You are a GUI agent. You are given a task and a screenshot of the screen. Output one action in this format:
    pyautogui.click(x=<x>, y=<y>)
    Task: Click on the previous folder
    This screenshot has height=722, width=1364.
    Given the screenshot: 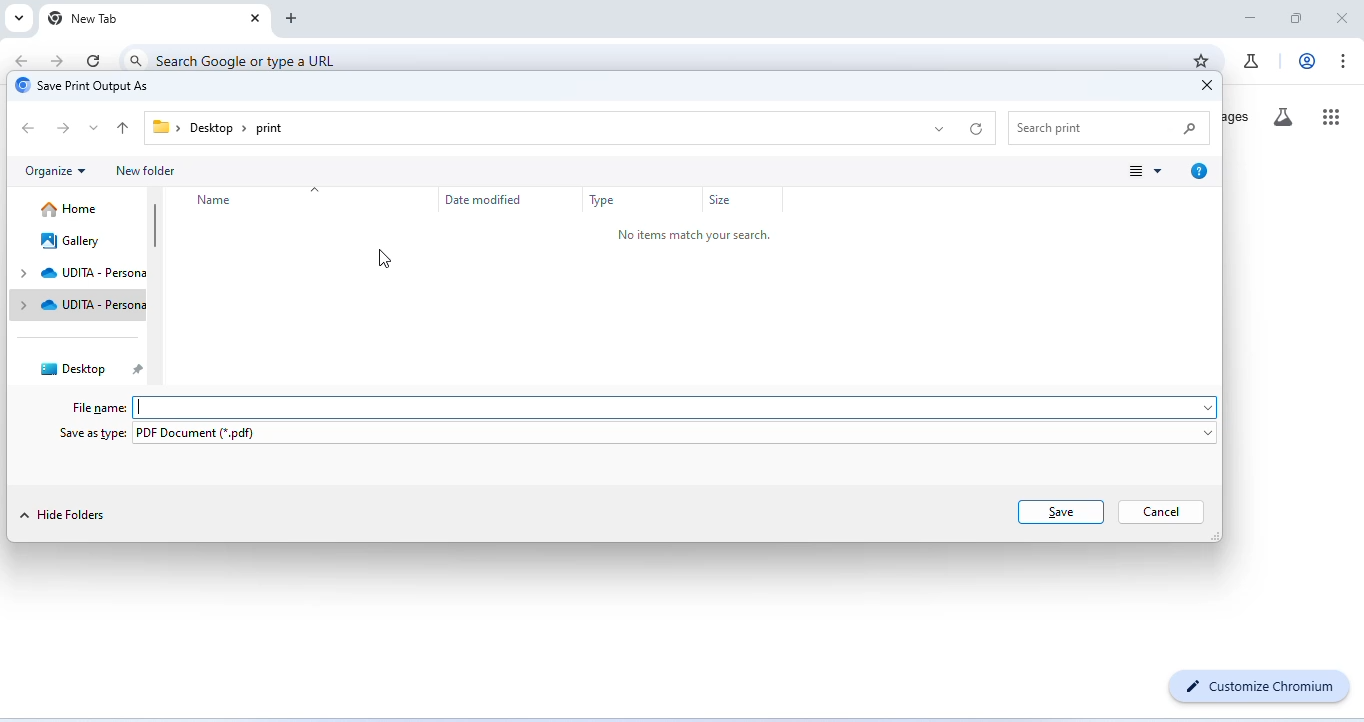 What is the action you would take?
    pyautogui.click(x=29, y=127)
    